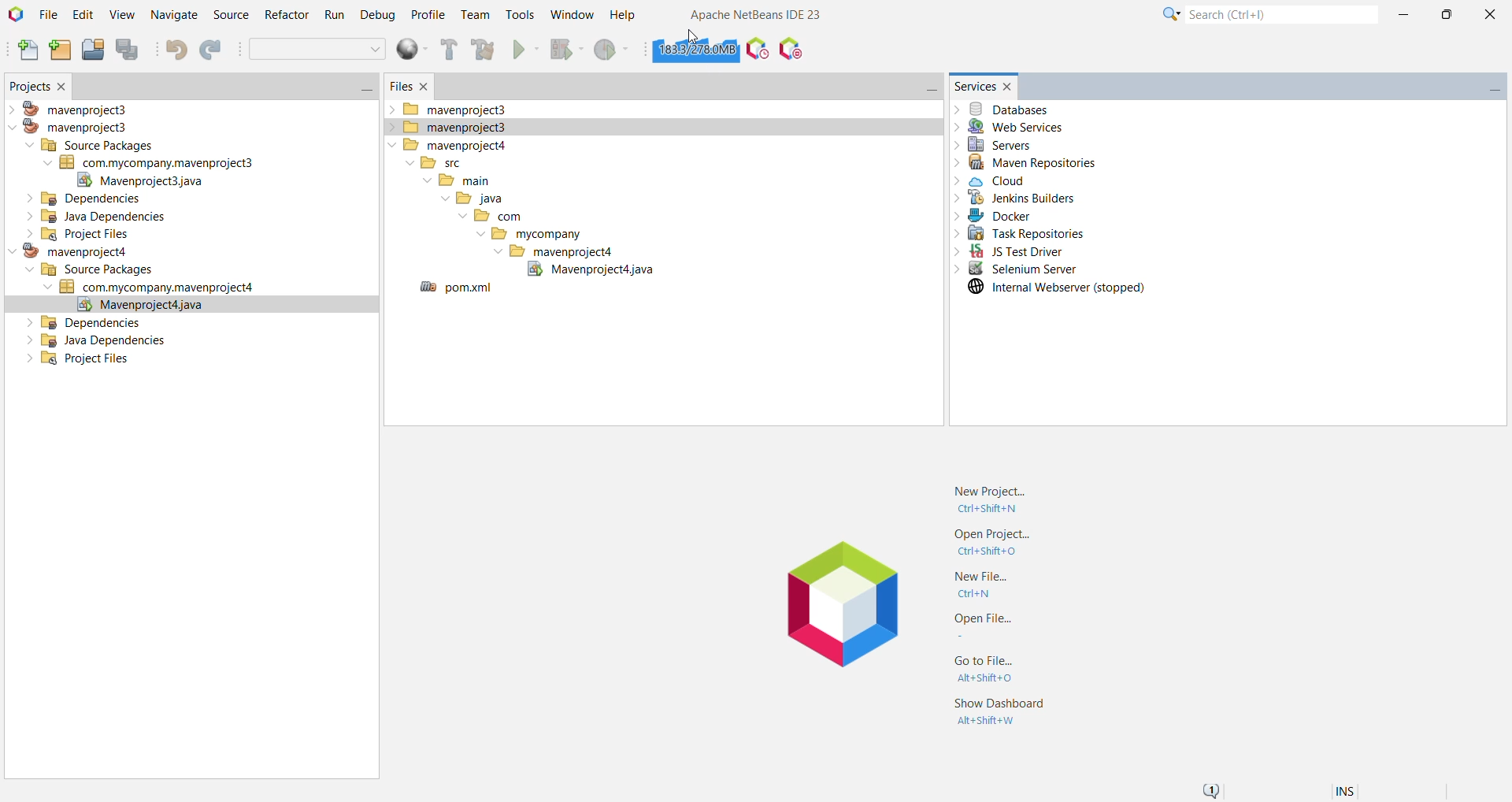 The width and height of the screenshot is (1512, 802). I want to click on Window, so click(571, 12).